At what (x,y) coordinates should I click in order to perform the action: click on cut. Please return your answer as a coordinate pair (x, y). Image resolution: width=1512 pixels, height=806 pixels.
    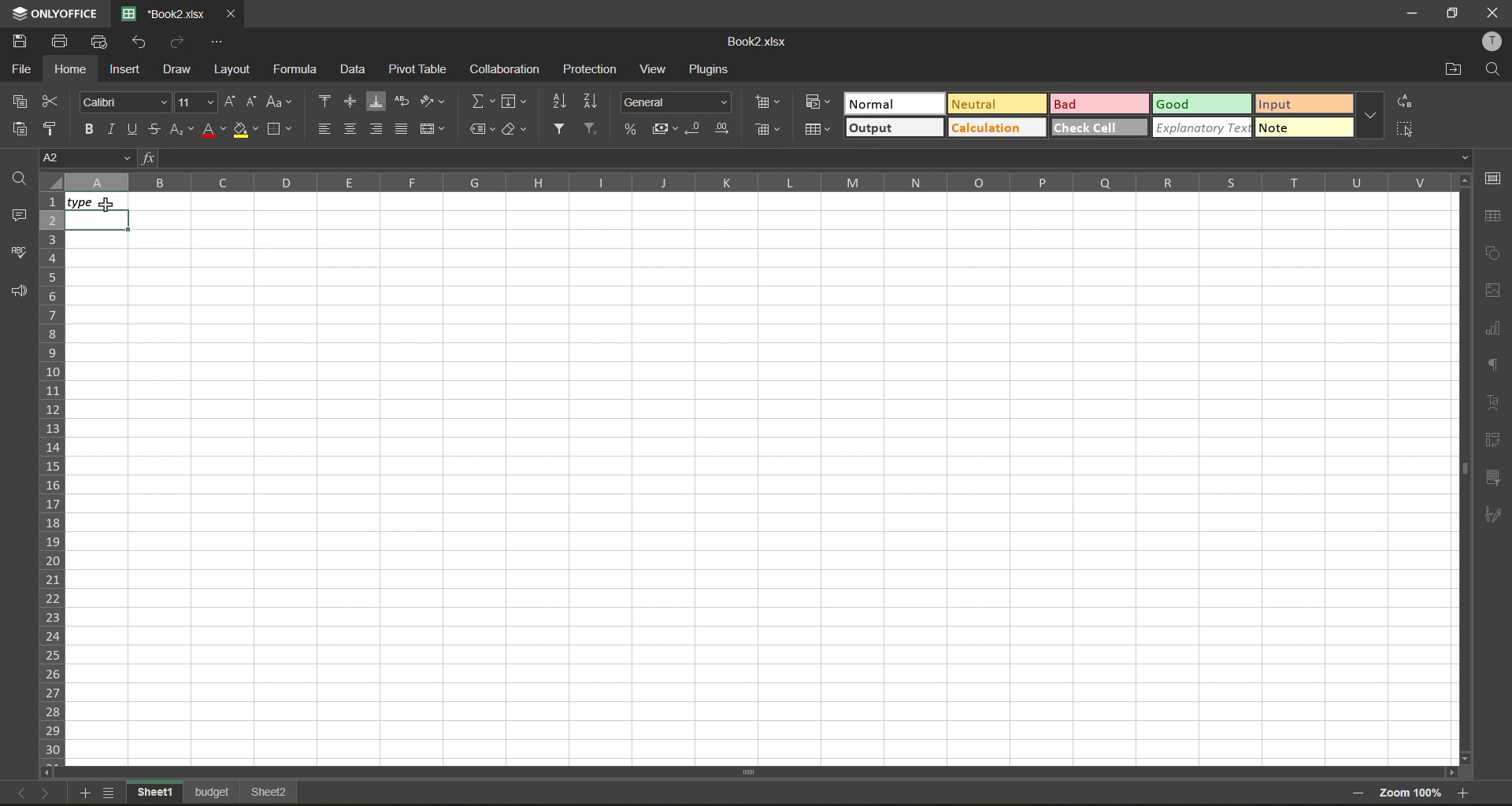
    Looking at the image, I should click on (52, 102).